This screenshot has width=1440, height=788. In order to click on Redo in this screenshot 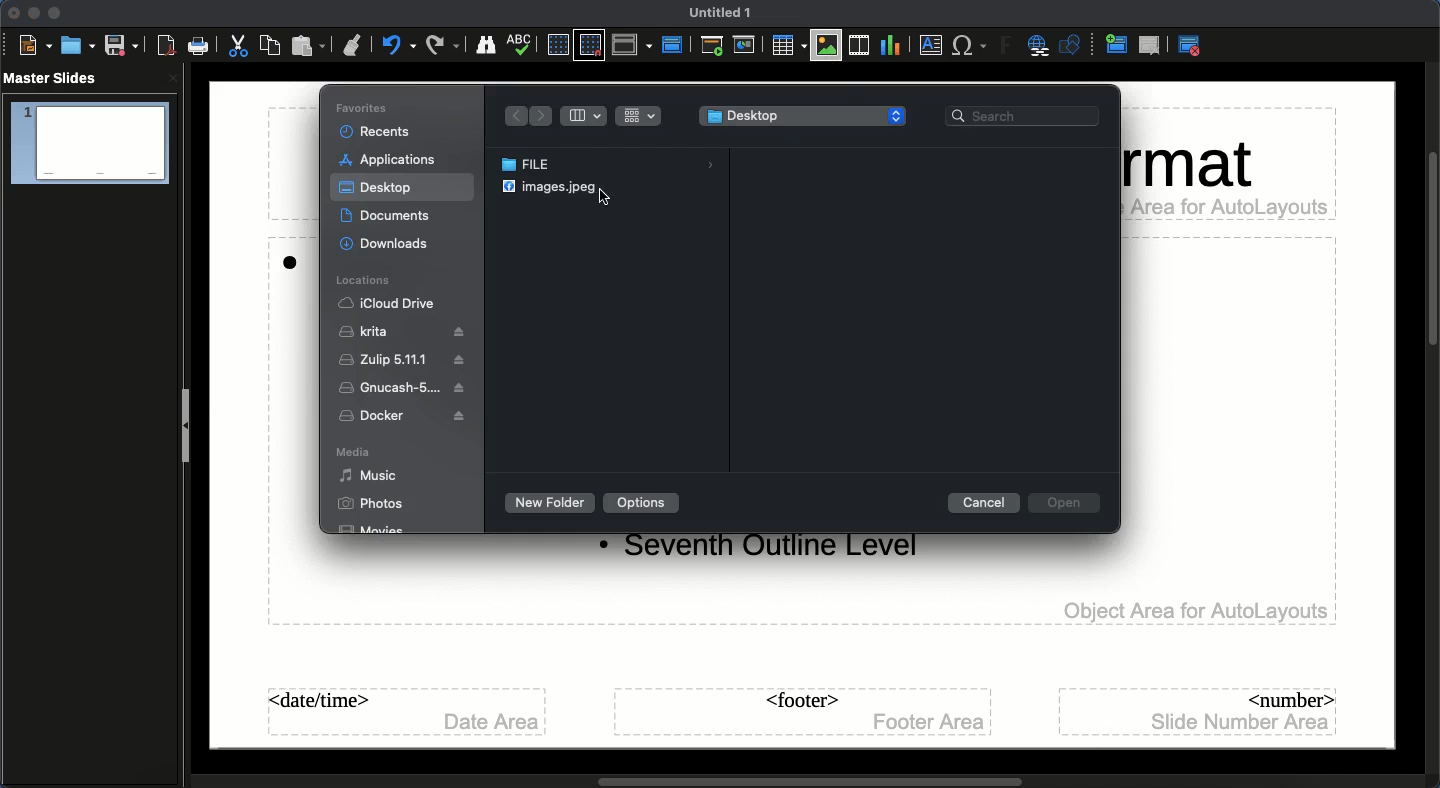, I will do `click(444, 45)`.